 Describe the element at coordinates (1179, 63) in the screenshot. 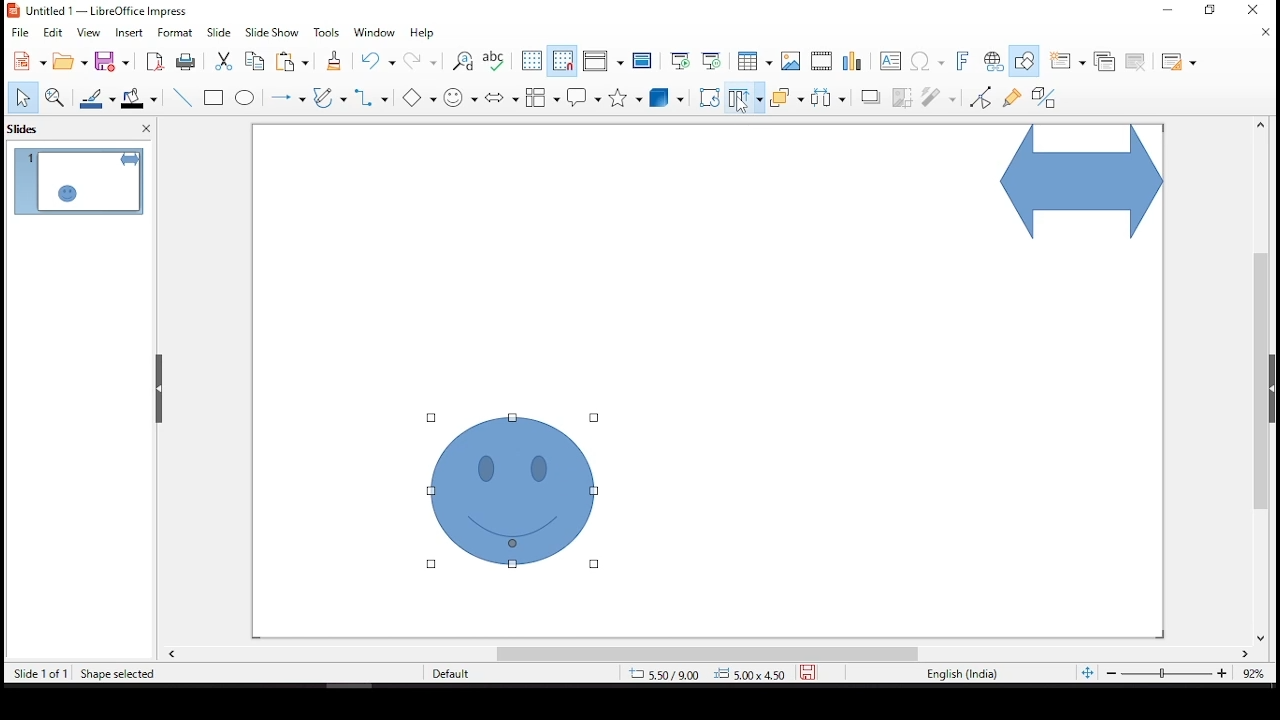

I see `slide layout` at that location.